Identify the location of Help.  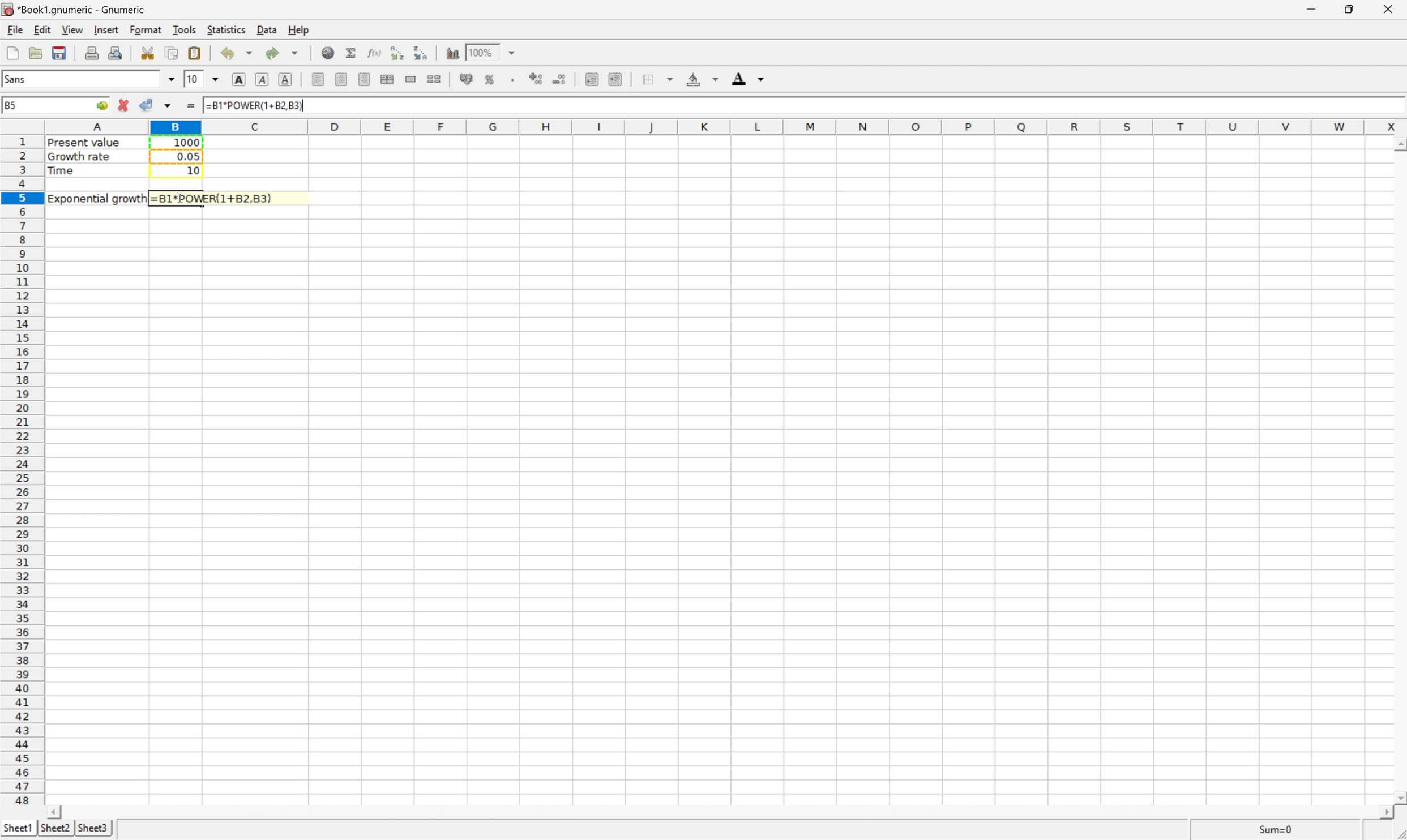
(299, 30).